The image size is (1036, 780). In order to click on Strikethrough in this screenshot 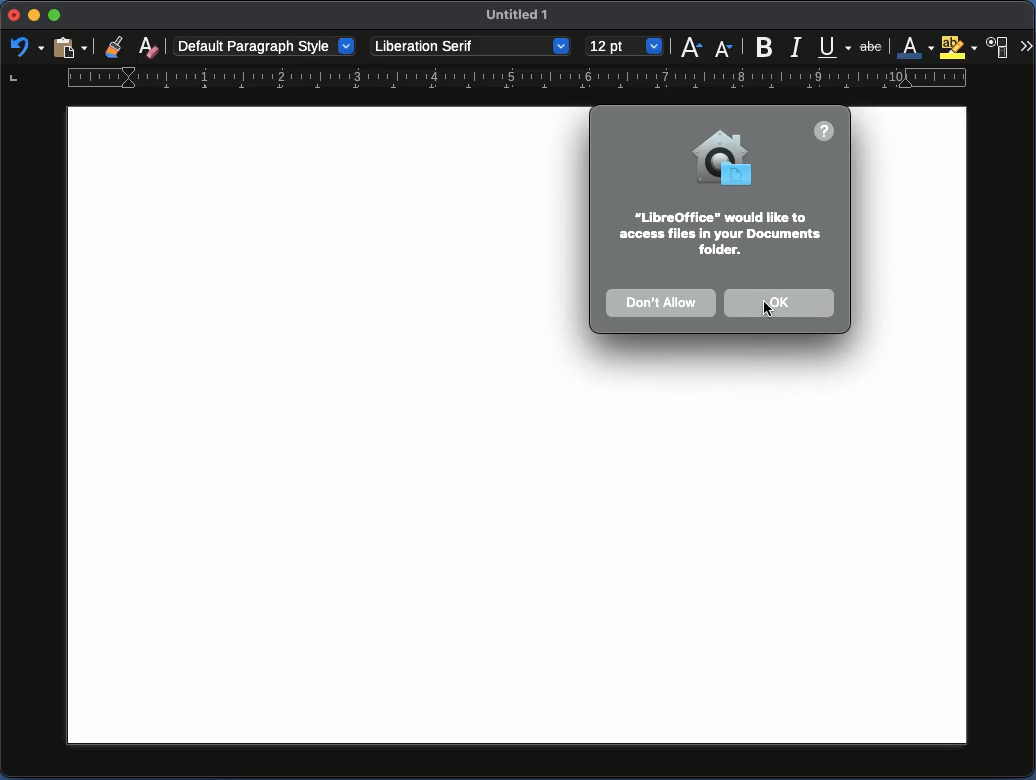, I will do `click(873, 45)`.